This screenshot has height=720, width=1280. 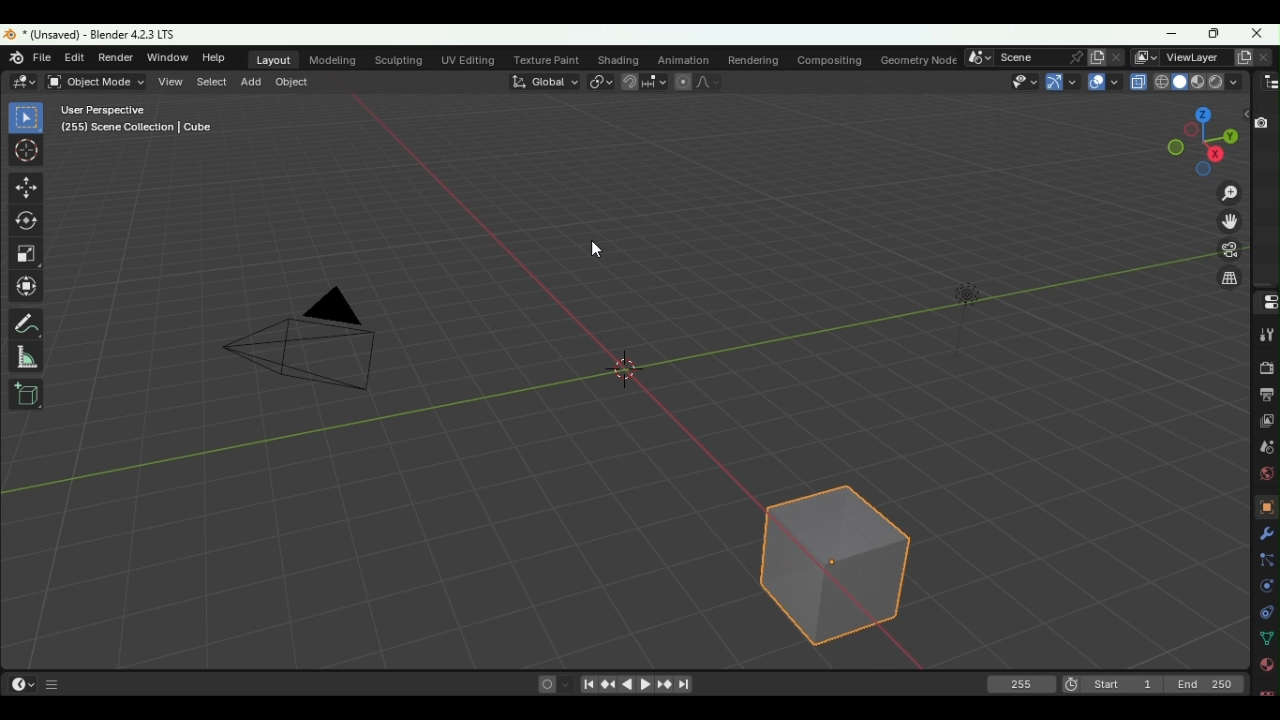 What do you see at coordinates (1117, 58) in the screenshot?
I see `Delete scene` at bounding box center [1117, 58].